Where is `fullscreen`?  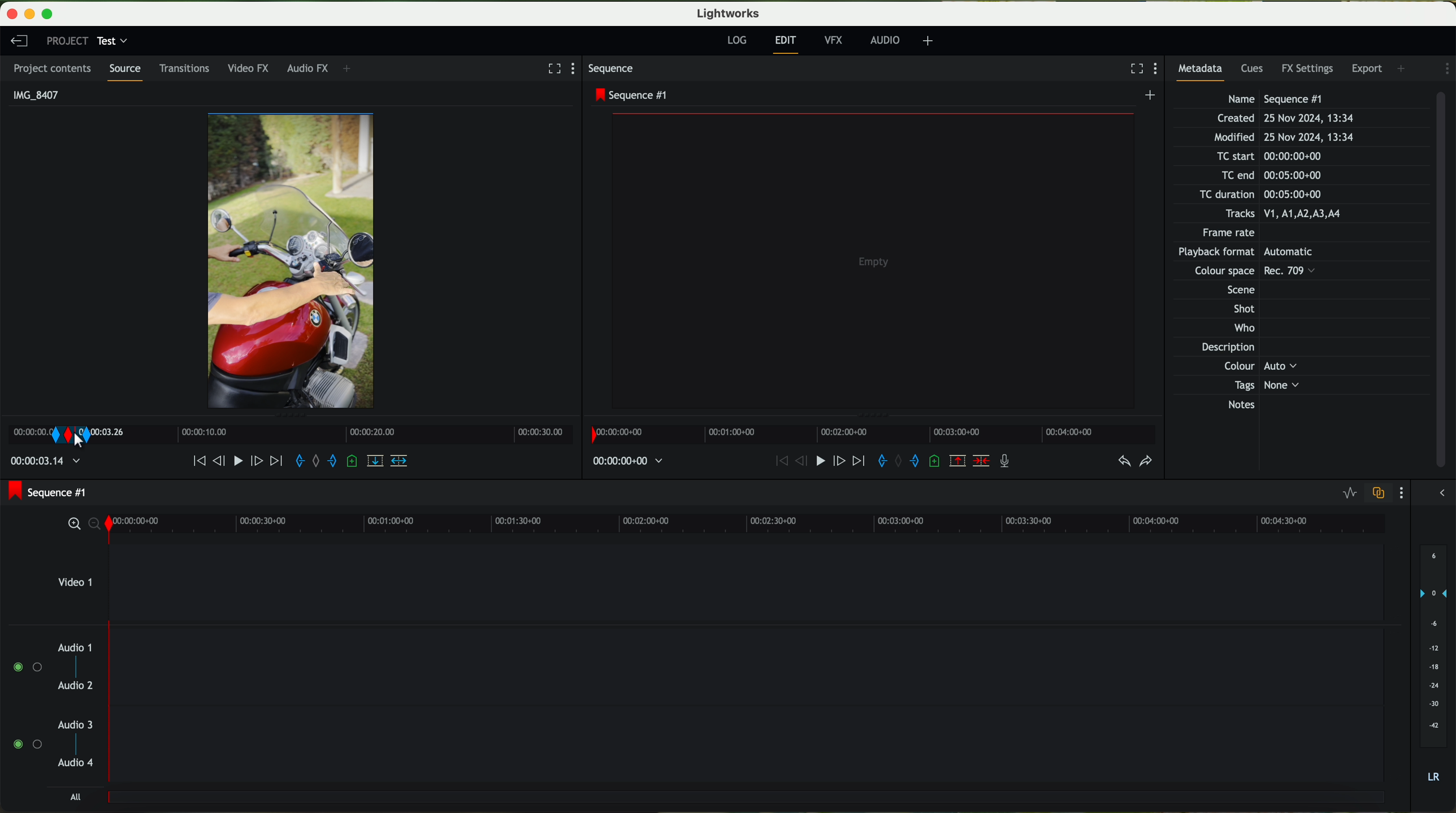 fullscreen is located at coordinates (552, 68).